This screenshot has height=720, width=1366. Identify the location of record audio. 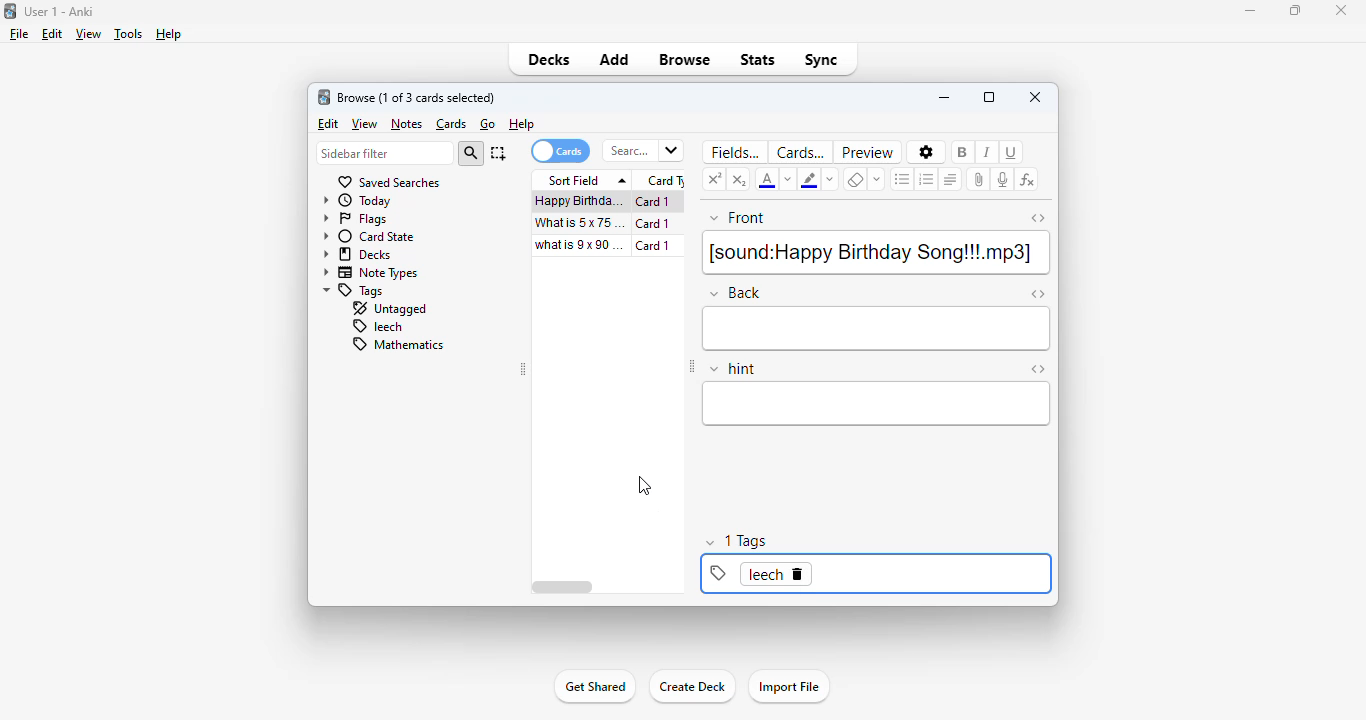
(1003, 179).